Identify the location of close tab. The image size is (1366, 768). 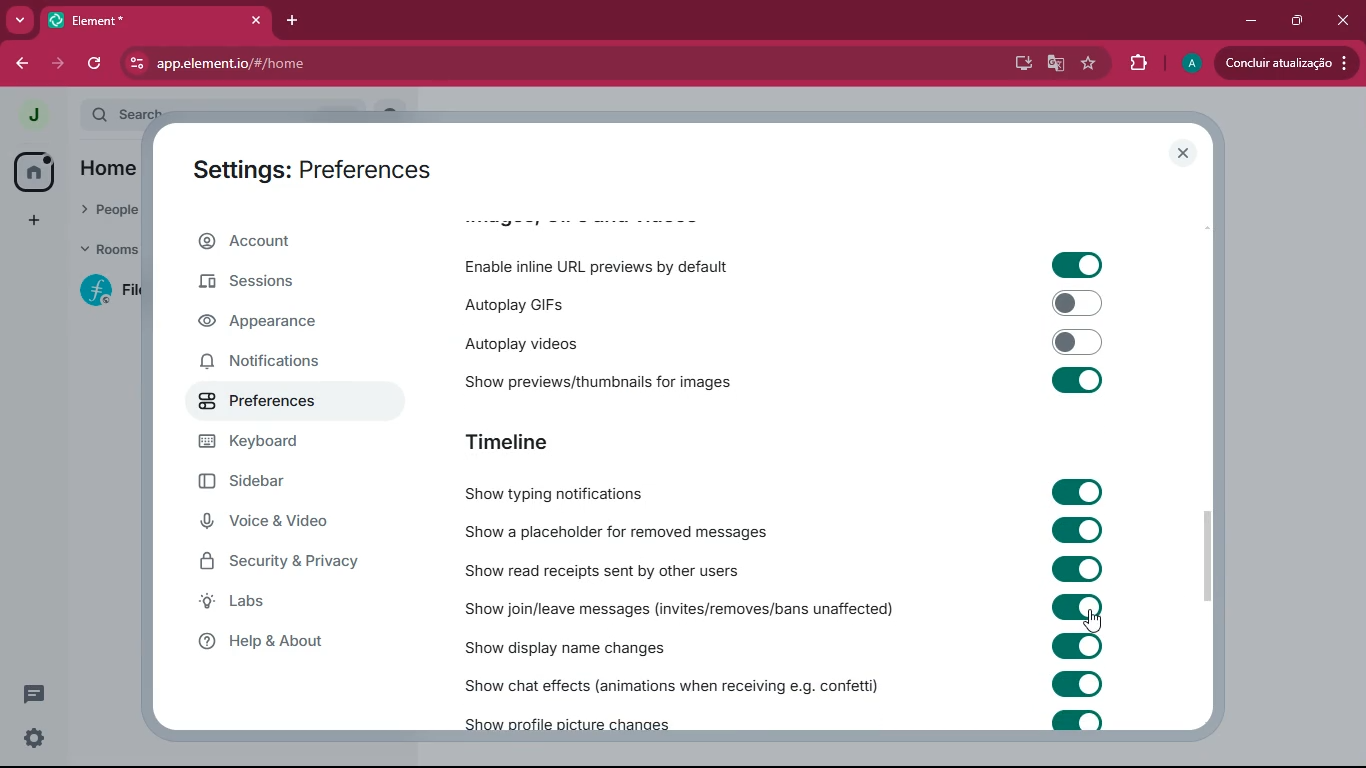
(256, 21).